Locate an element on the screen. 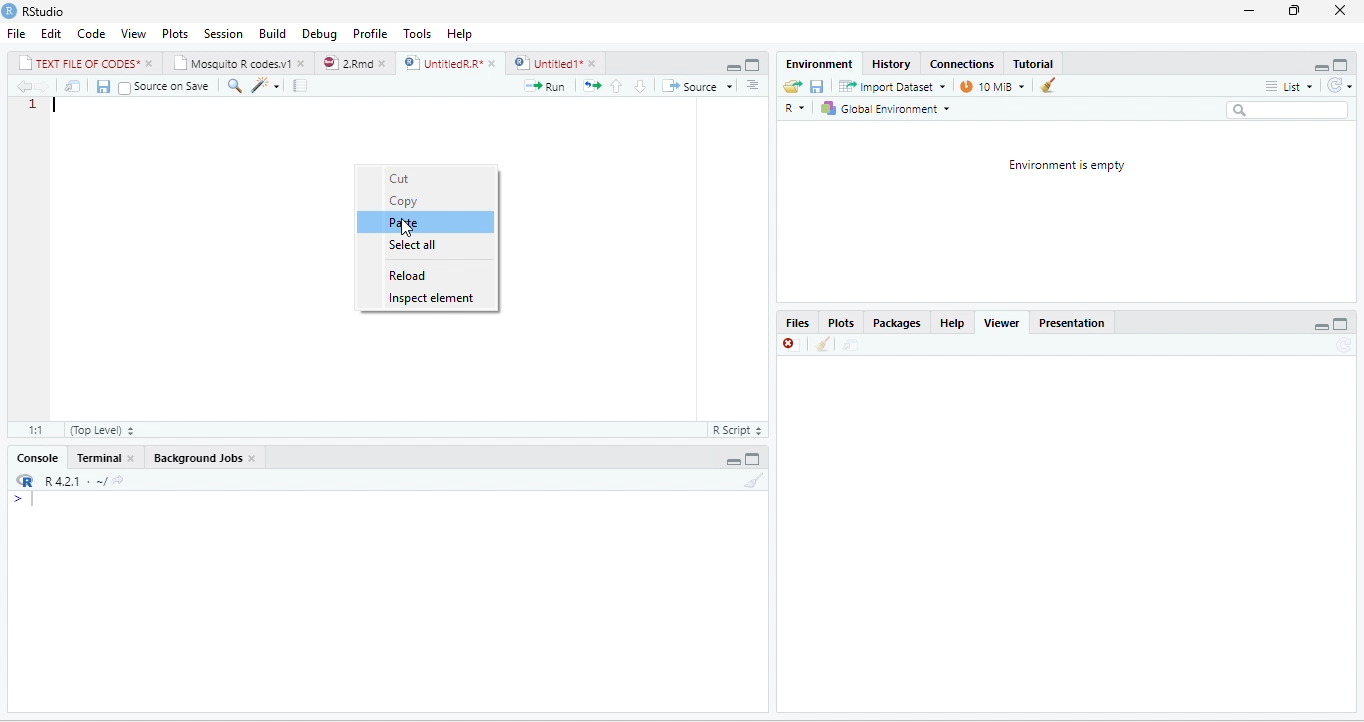 This screenshot has width=1364, height=722. Files is located at coordinates (798, 324).